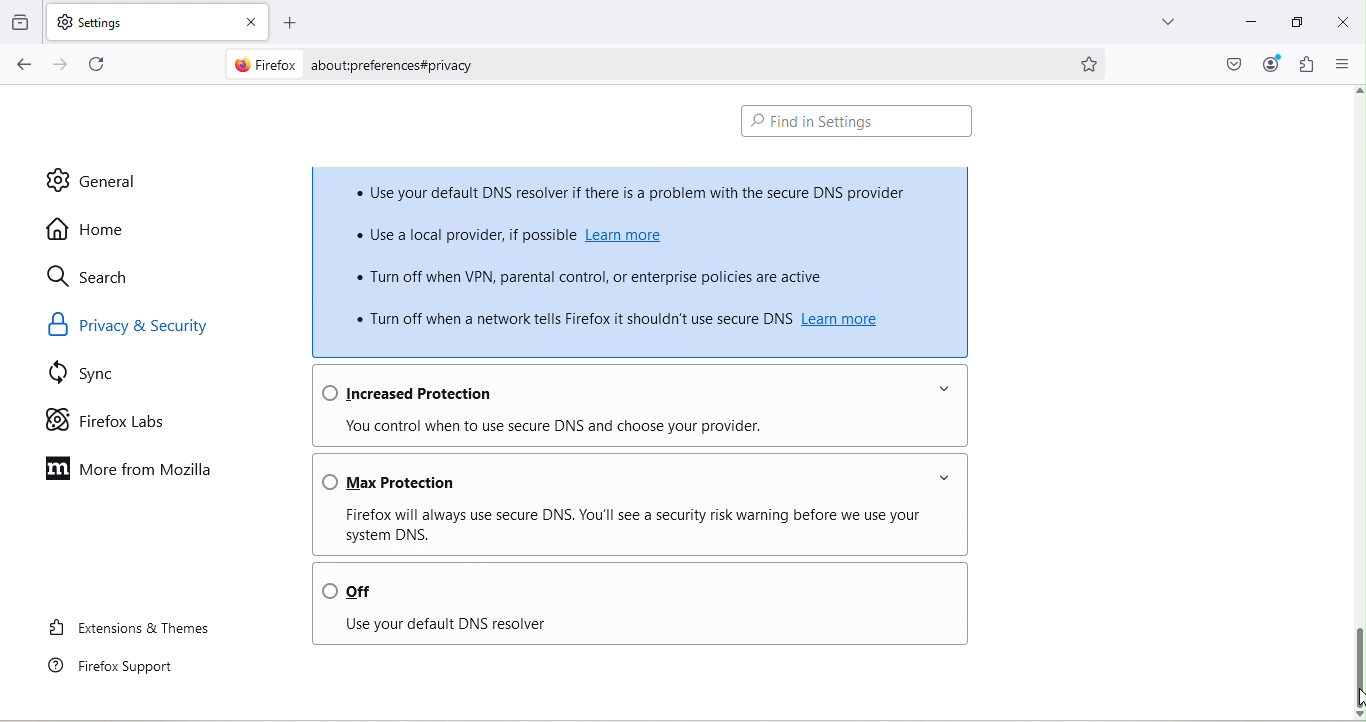 The image size is (1366, 722). What do you see at coordinates (22, 23) in the screenshot?
I see `Browse recent tabs across windows and devices` at bounding box center [22, 23].